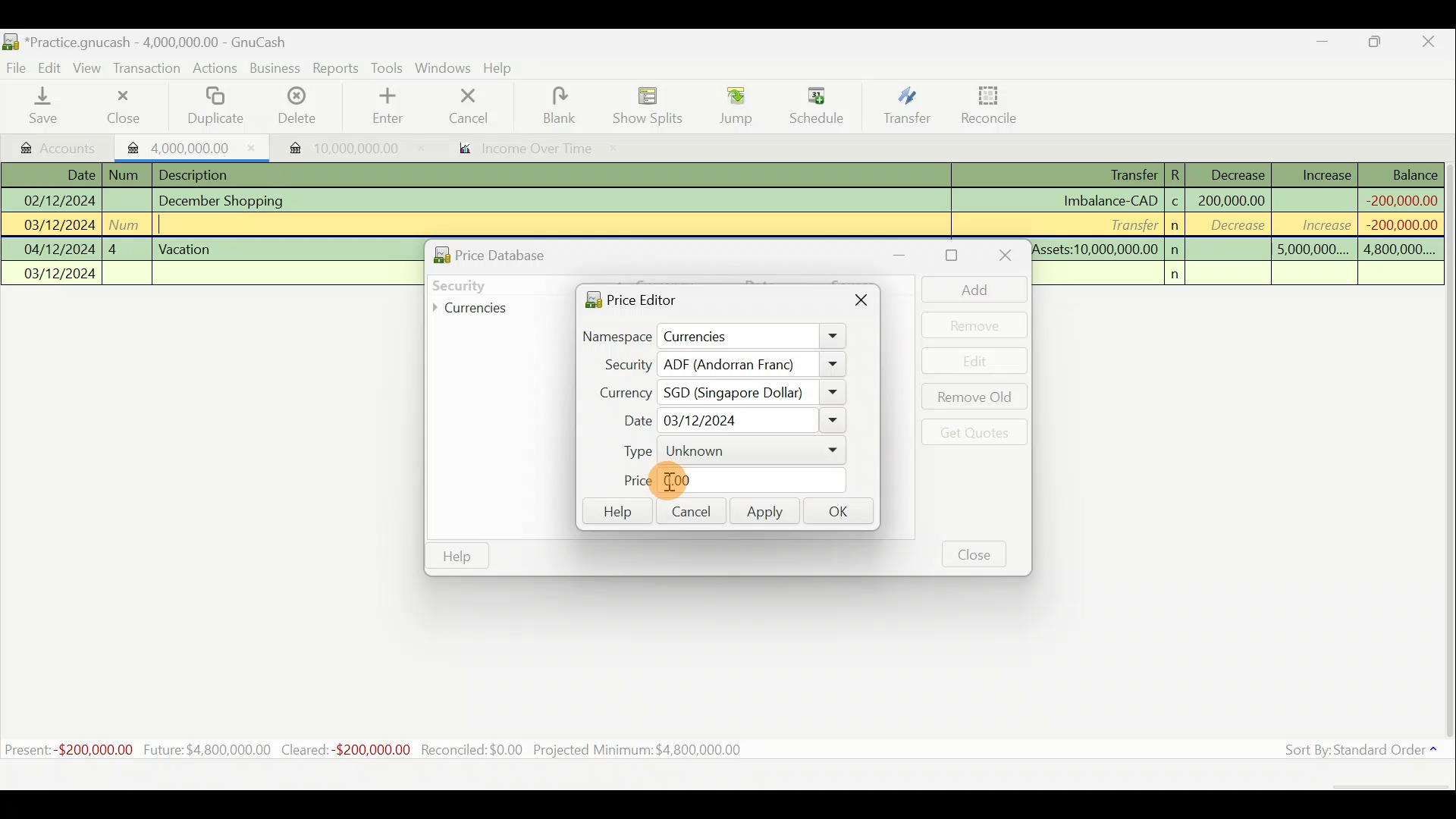 The width and height of the screenshot is (1456, 819). I want to click on Minimise, so click(908, 255).